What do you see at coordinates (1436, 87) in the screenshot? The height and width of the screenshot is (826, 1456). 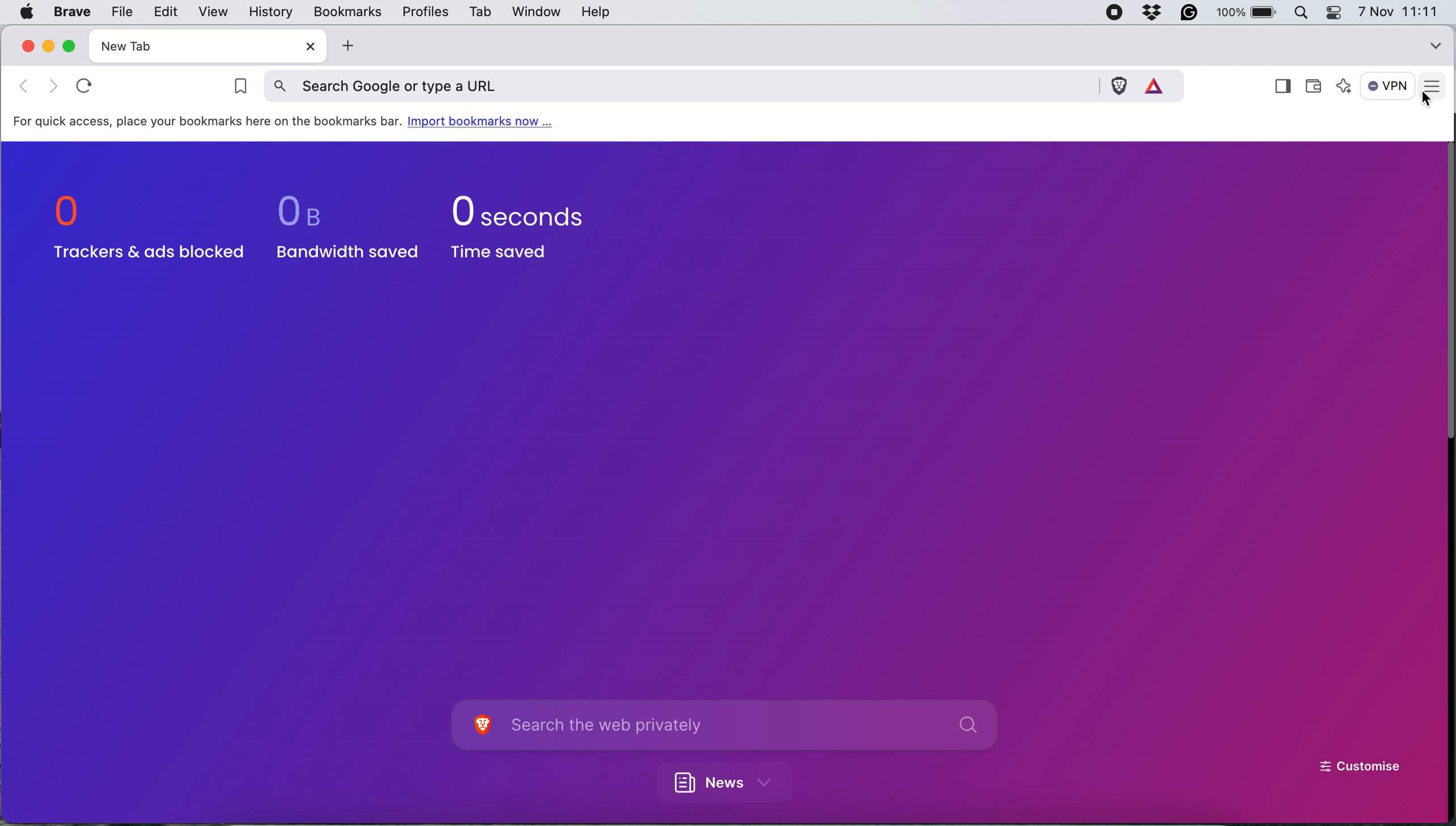 I see `Customize and control Brave` at bounding box center [1436, 87].